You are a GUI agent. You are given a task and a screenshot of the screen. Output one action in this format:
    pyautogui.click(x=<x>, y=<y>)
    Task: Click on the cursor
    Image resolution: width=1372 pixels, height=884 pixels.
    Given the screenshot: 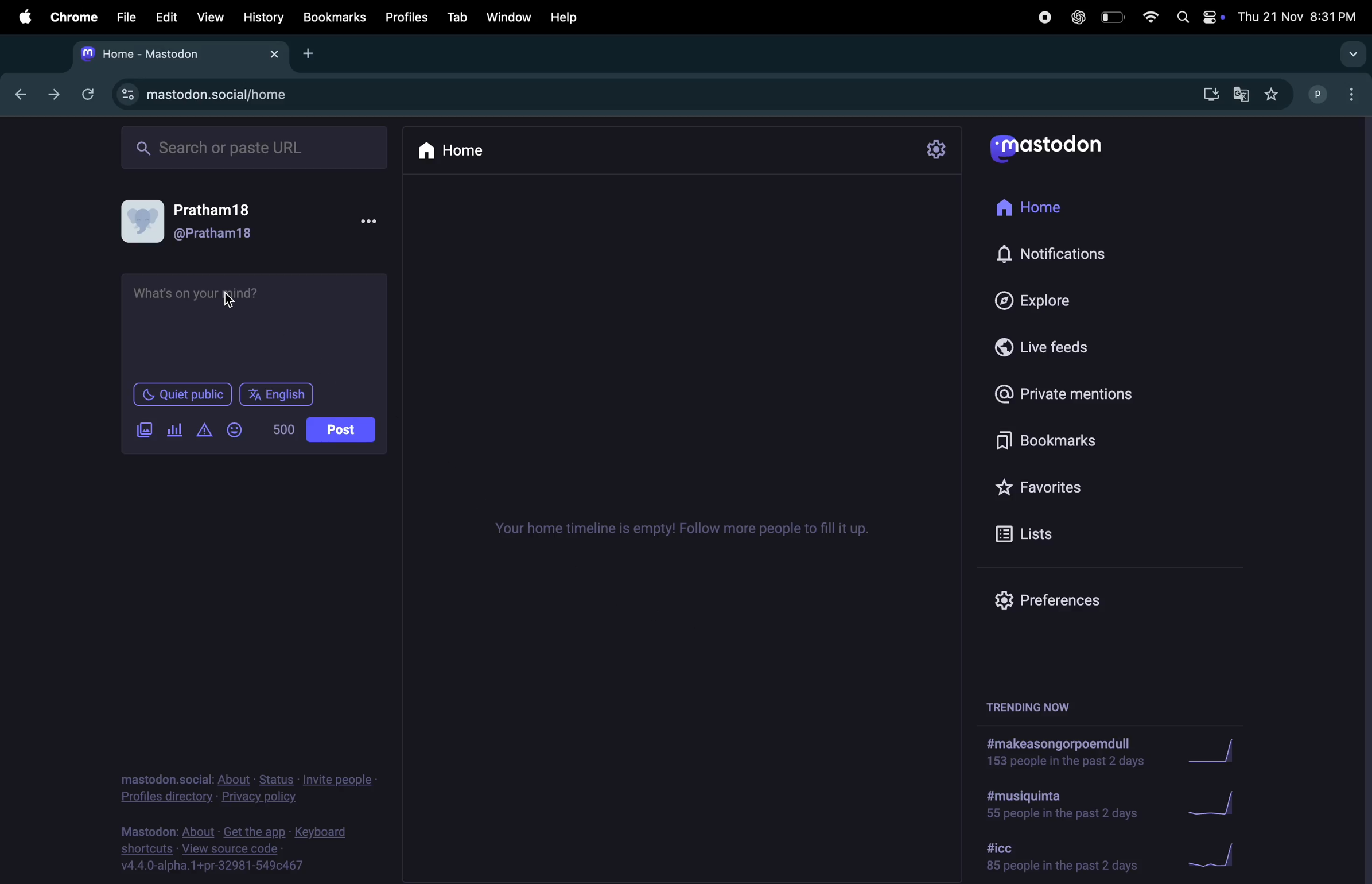 What is the action you would take?
    pyautogui.click(x=234, y=298)
    